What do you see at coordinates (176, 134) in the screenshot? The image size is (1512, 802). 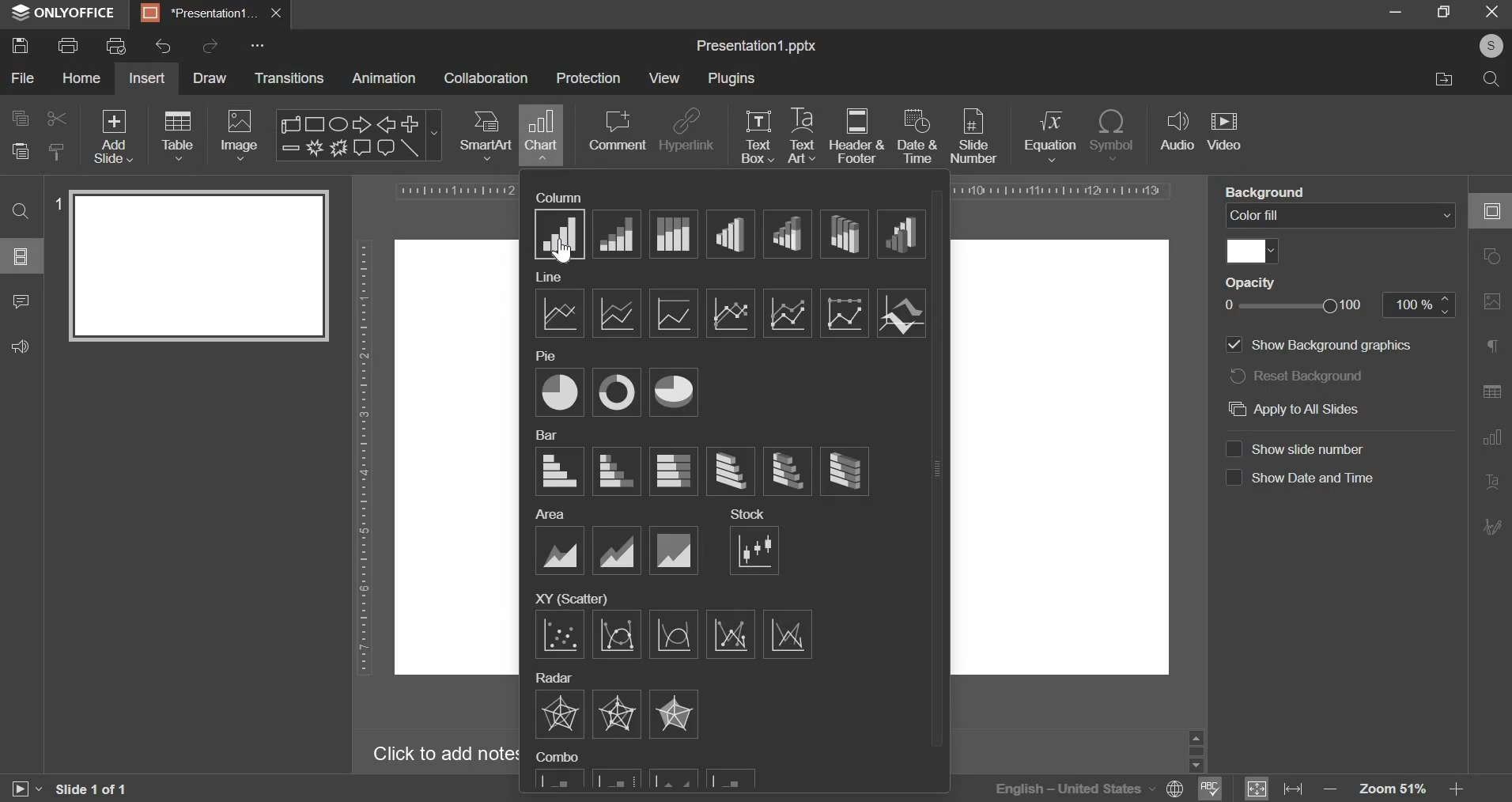 I see `table` at bounding box center [176, 134].